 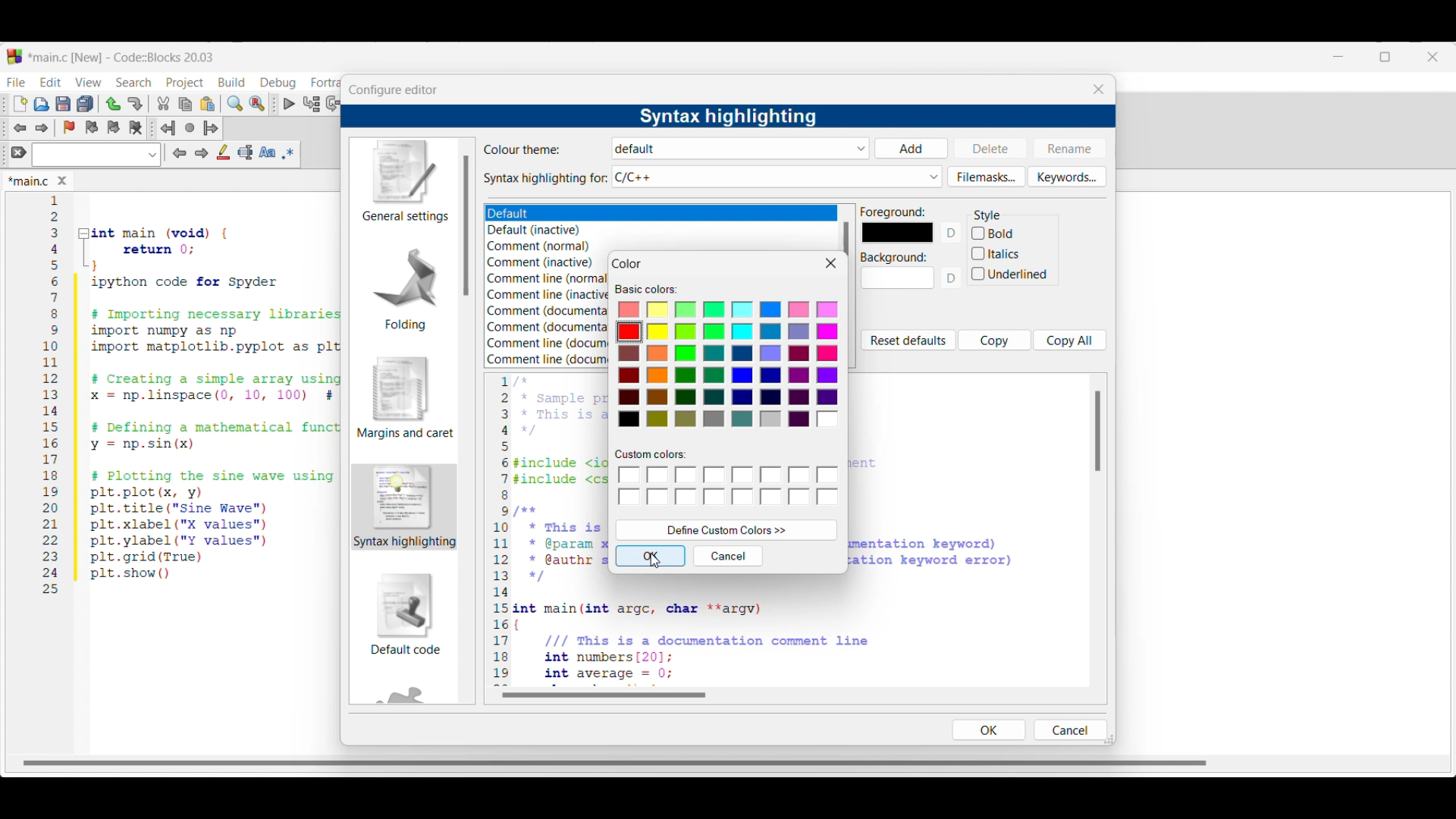 I want to click on Highlight, so click(x=223, y=152).